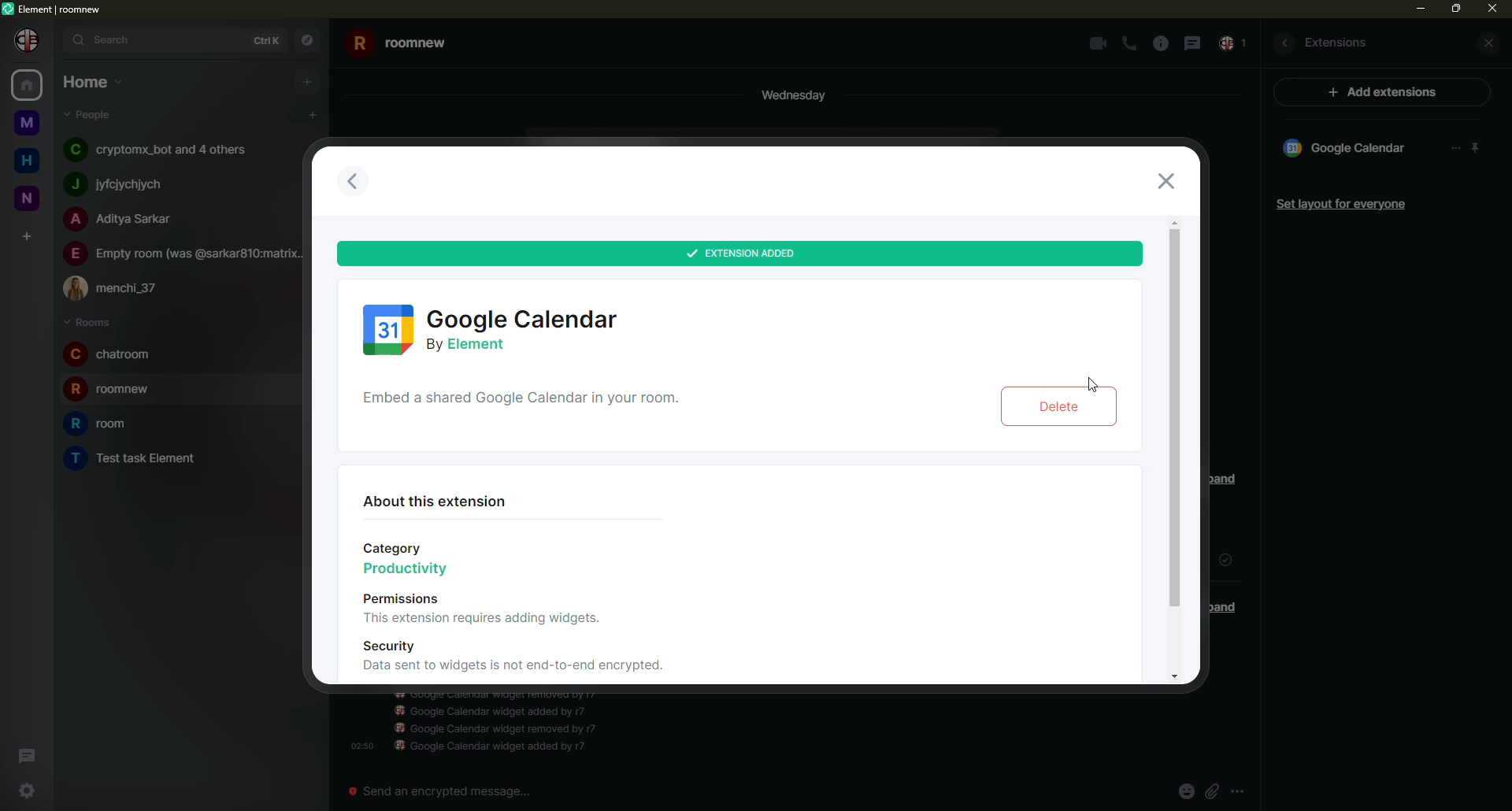 Image resolution: width=1512 pixels, height=811 pixels. What do you see at coordinates (398, 644) in the screenshot?
I see `Security` at bounding box center [398, 644].